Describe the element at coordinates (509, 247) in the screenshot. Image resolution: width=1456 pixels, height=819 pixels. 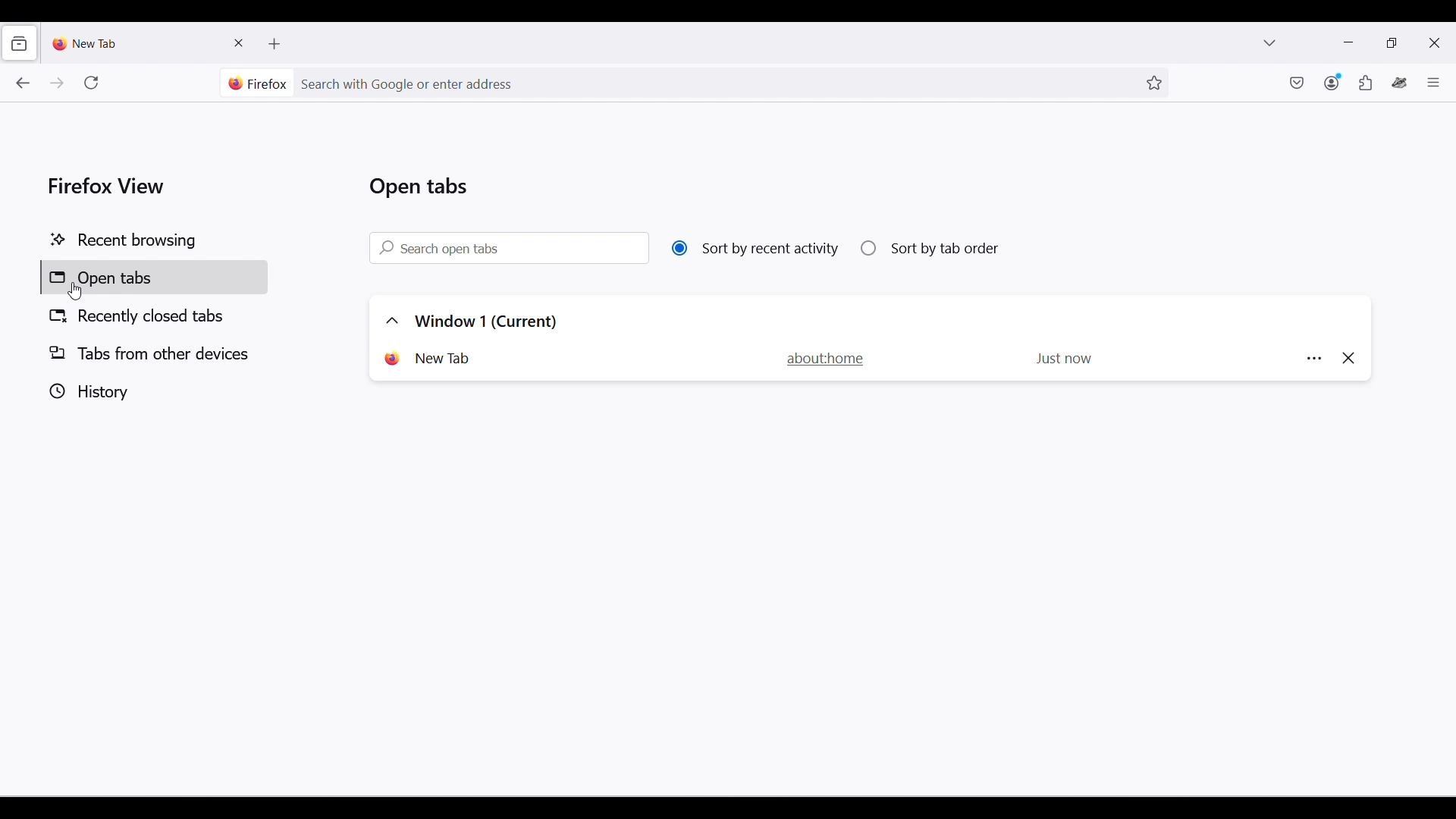
I see `Search open tabs` at that location.